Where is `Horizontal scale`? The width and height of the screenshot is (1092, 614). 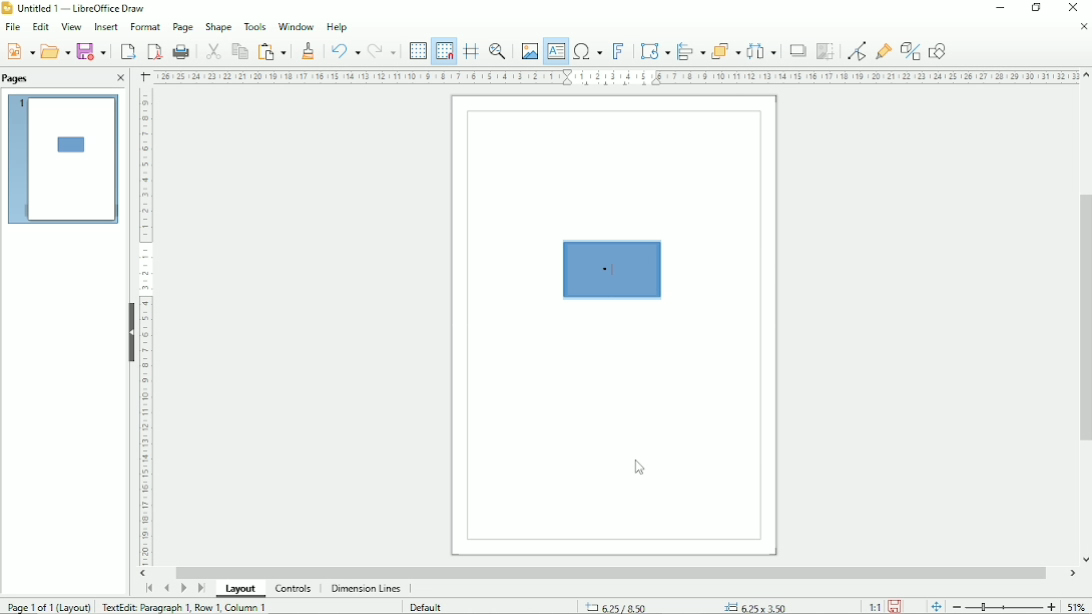 Horizontal scale is located at coordinates (617, 77).